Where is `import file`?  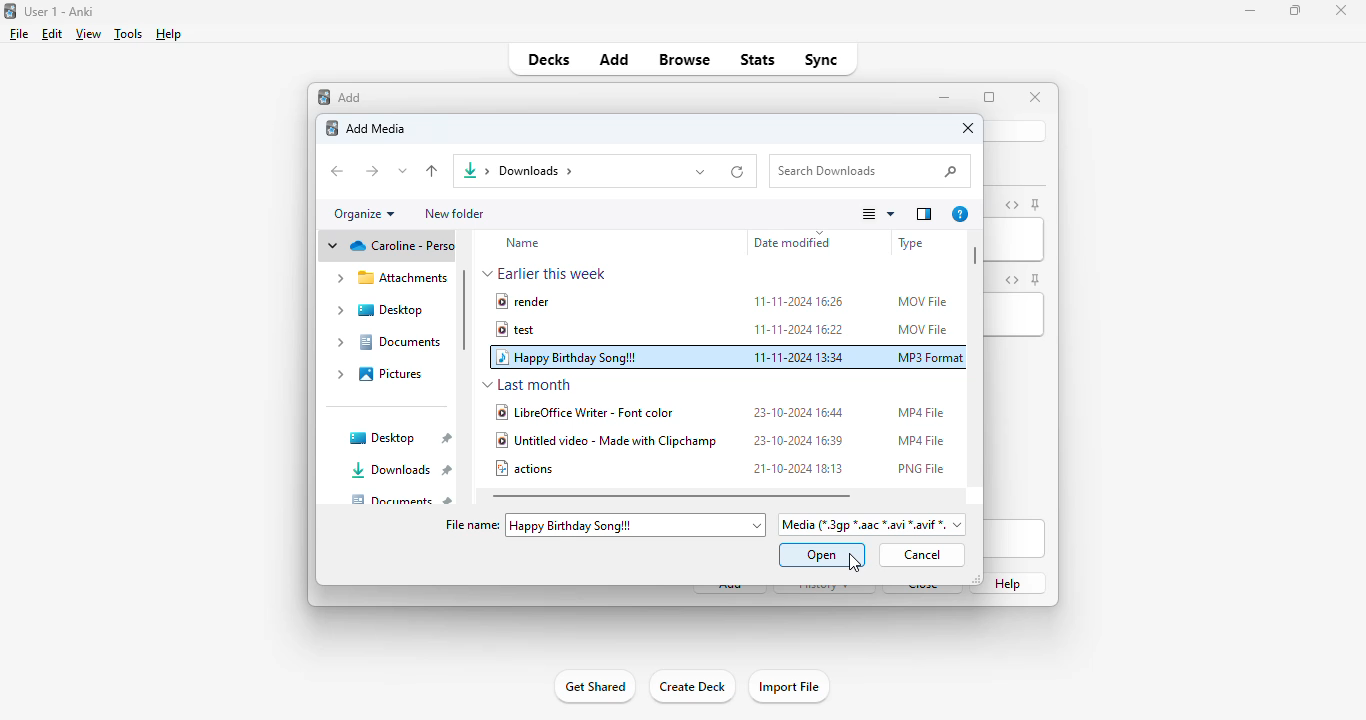
import file is located at coordinates (787, 687).